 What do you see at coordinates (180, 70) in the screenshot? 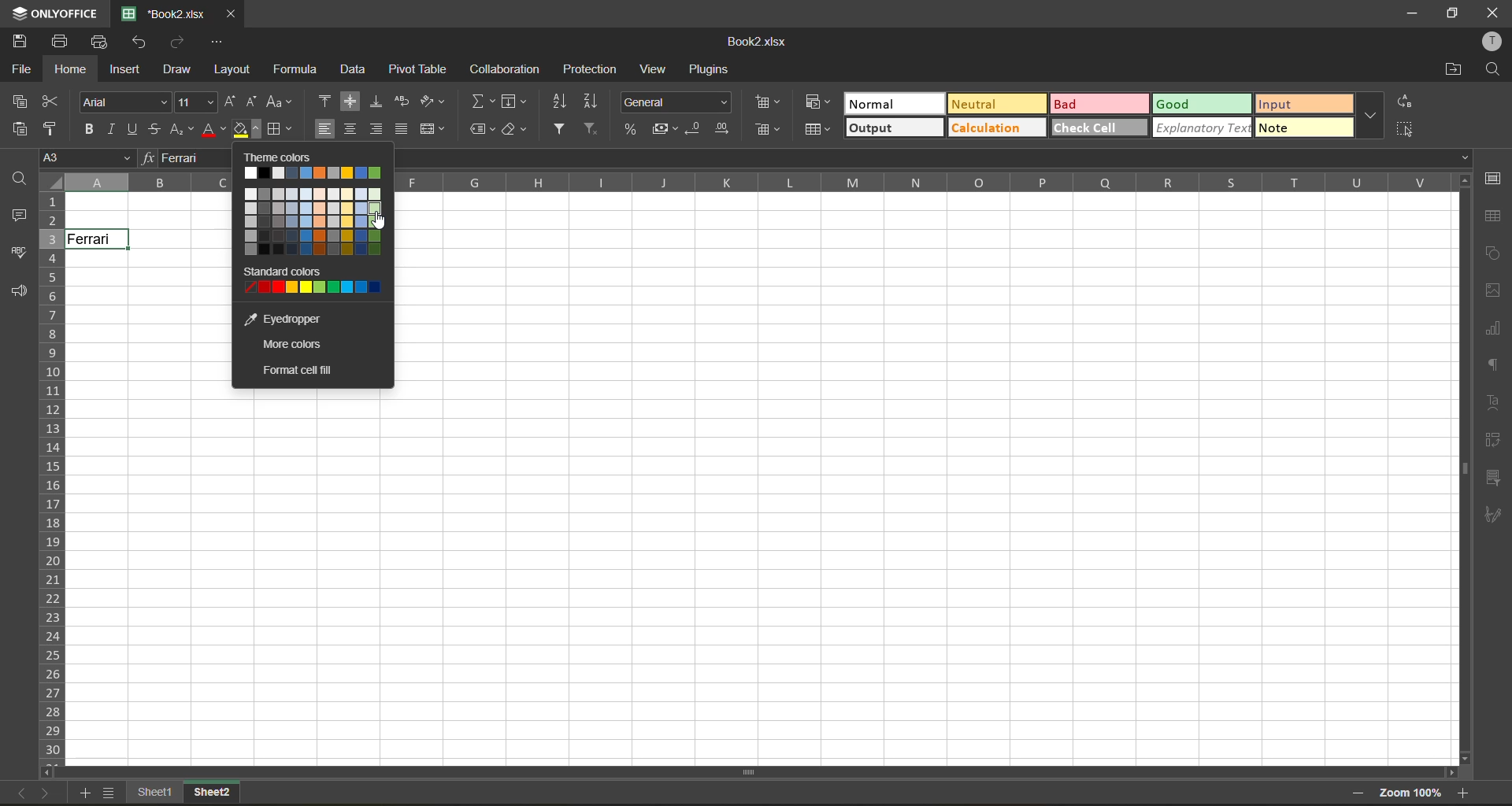
I see `draw` at bounding box center [180, 70].